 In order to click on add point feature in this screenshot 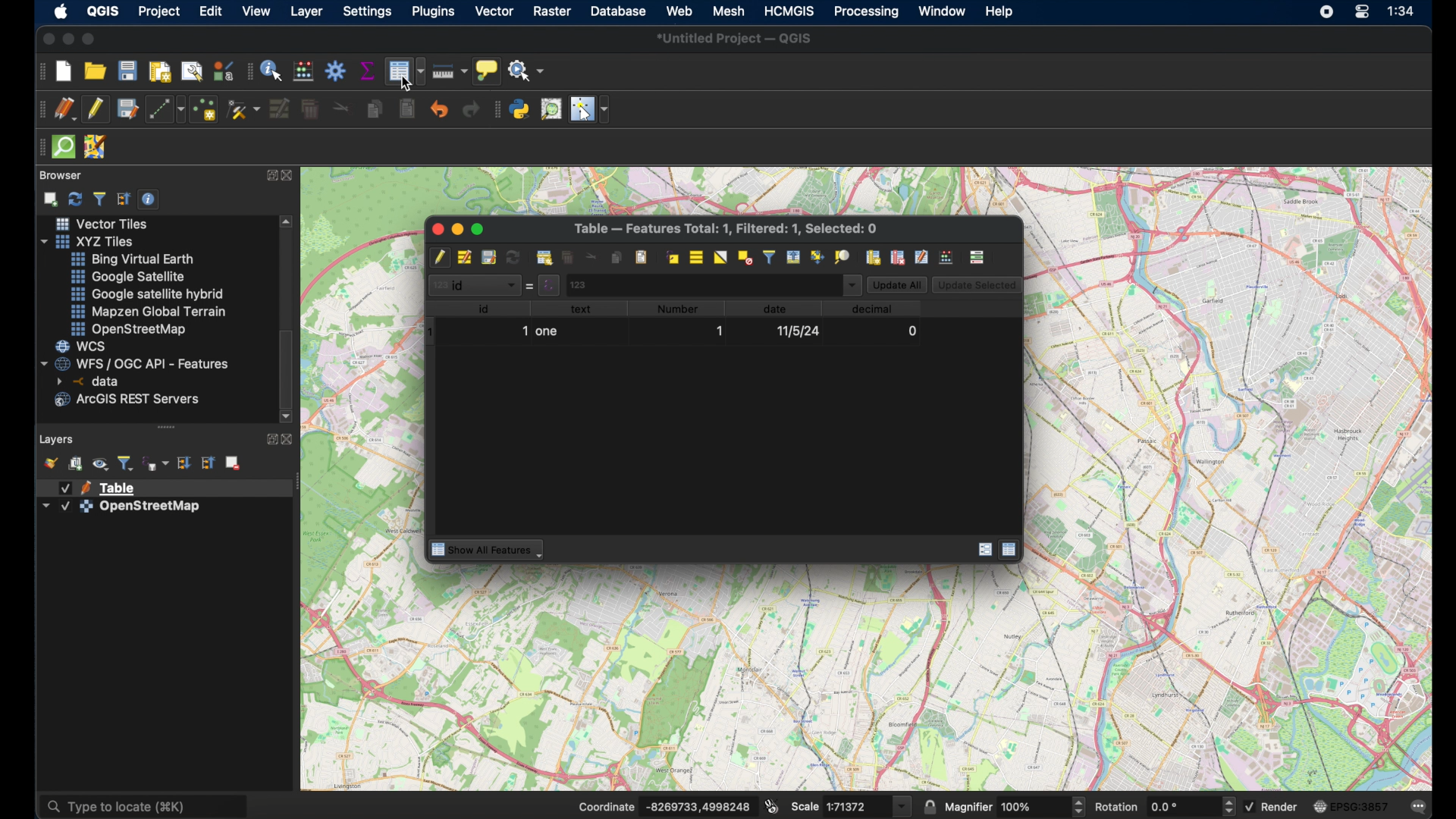, I will do `click(202, 108)`.